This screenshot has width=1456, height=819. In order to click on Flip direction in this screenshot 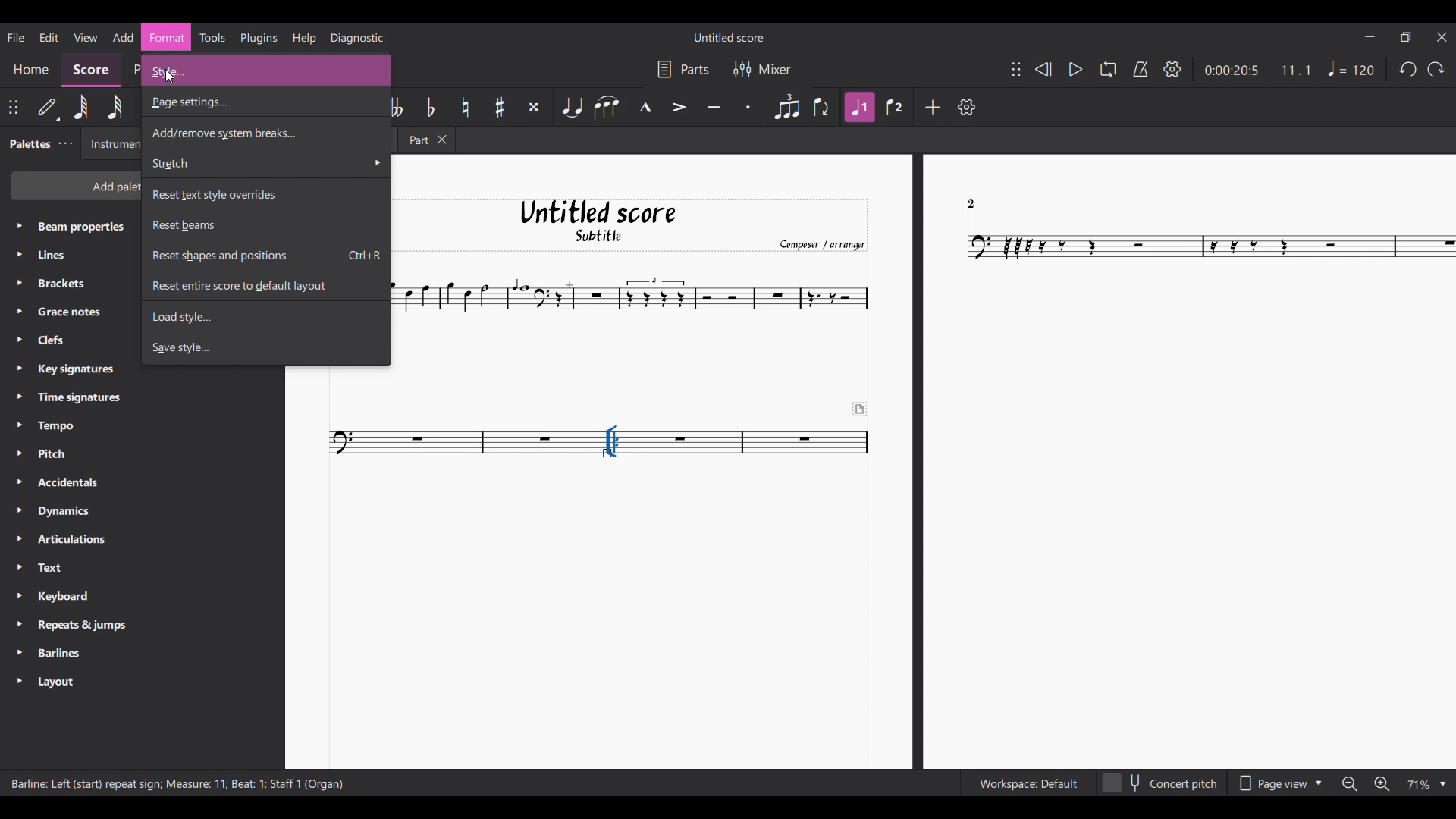, I will do `click(824, 107)`.